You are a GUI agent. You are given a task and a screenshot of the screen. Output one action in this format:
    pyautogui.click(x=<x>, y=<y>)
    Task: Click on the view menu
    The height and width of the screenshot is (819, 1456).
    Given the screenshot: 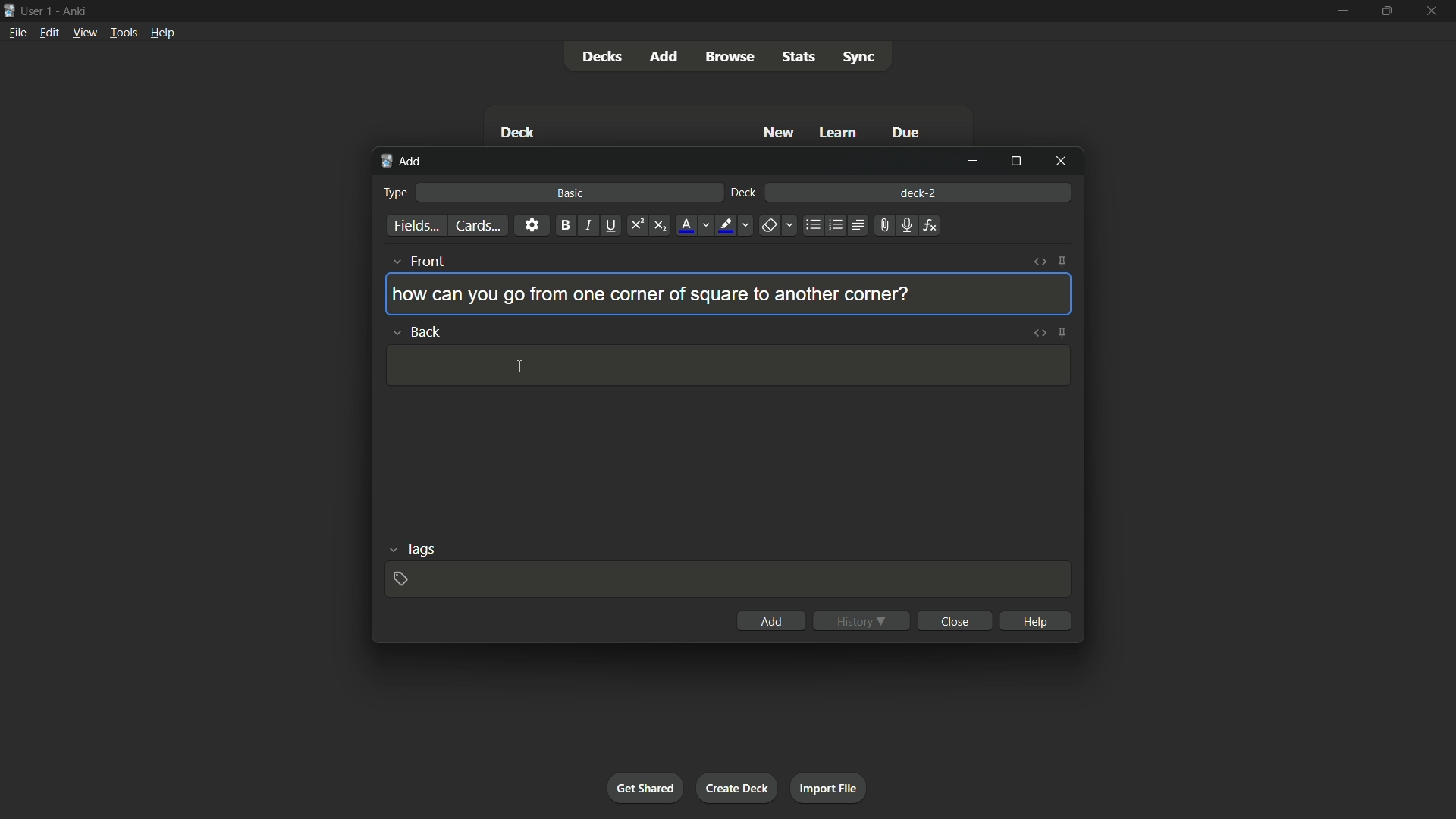 What is the action you would take?
    pyautogui.click(x=84, y=33)
    